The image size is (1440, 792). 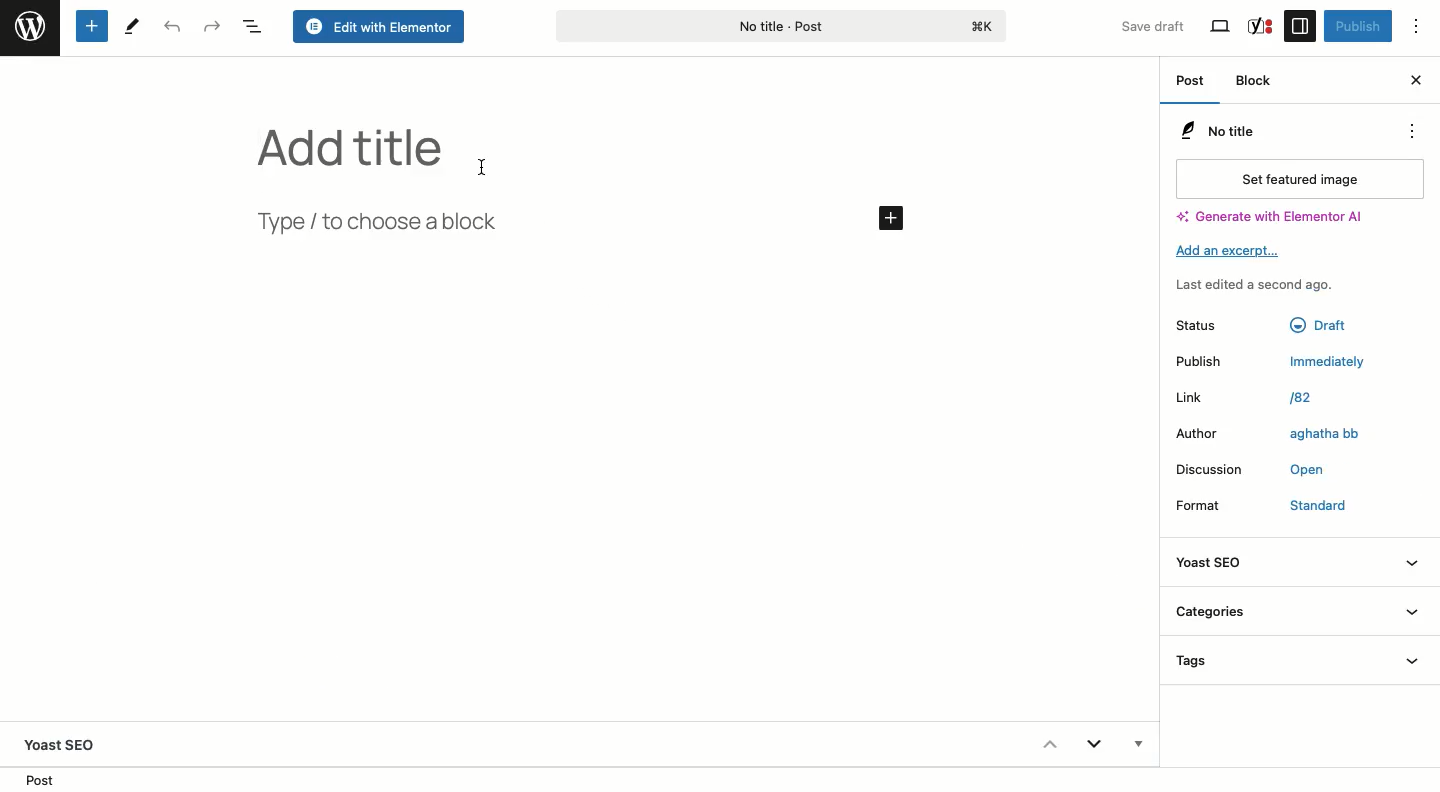 I want to click on Type / to choose a block, so click(x=385, y=222).